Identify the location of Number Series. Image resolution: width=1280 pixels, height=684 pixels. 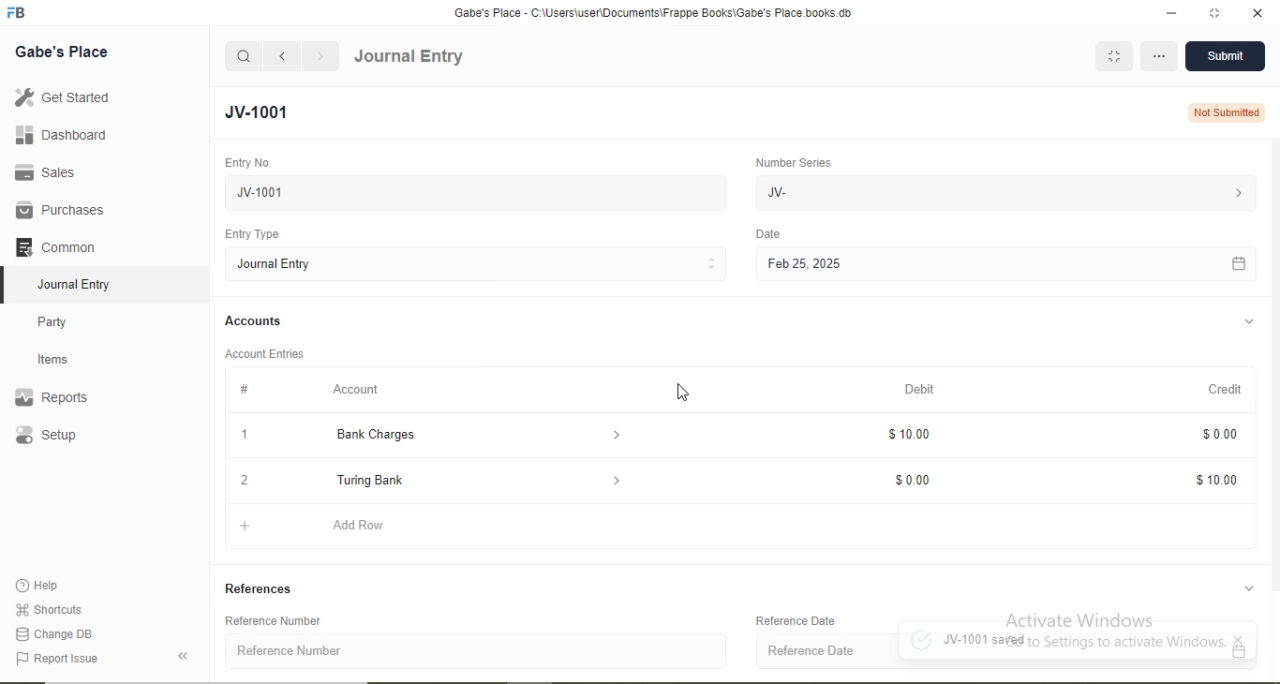
(792, 162).